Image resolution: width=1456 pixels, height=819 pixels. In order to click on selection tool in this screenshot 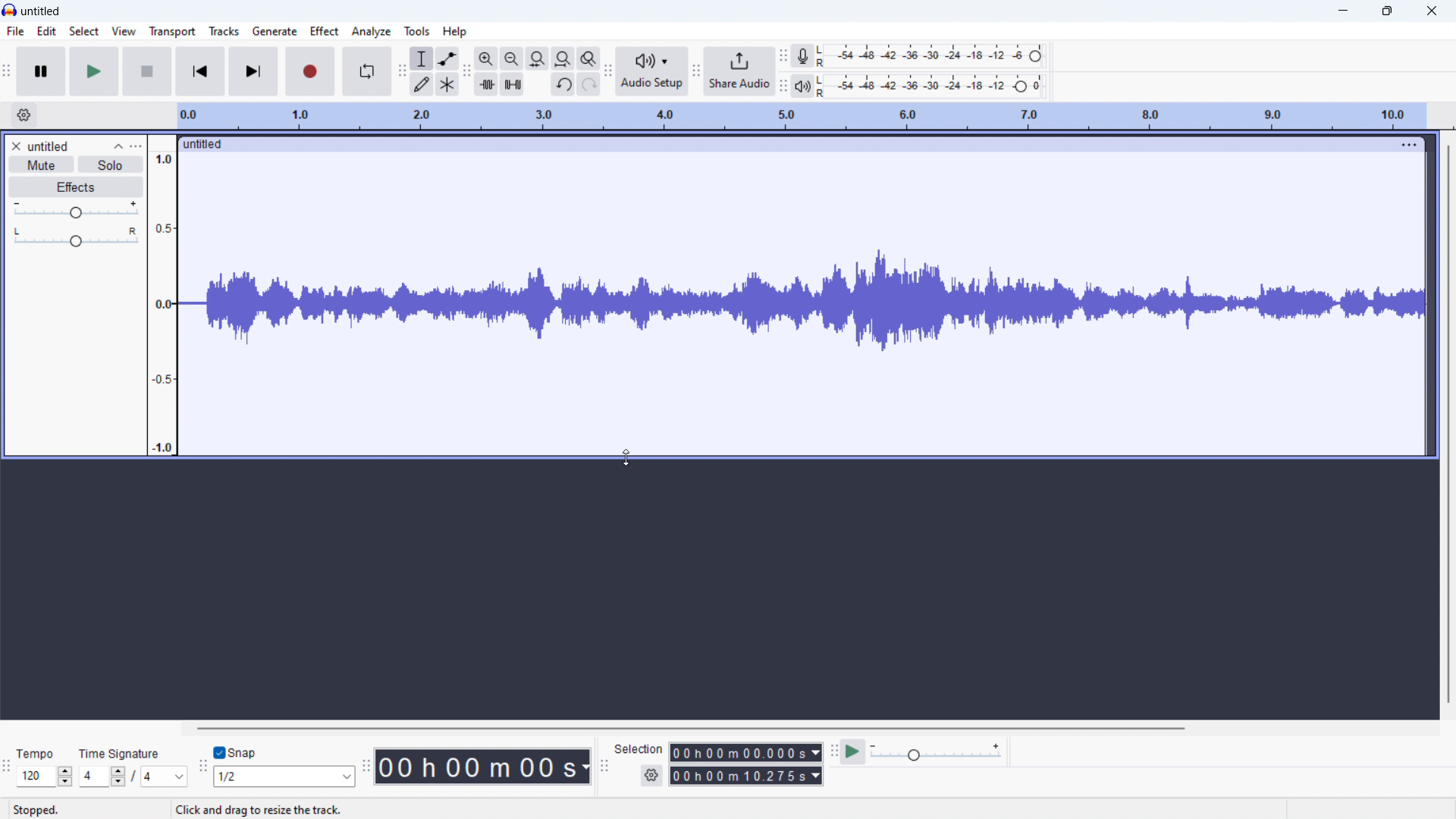, I will do `click(422, 58)`.